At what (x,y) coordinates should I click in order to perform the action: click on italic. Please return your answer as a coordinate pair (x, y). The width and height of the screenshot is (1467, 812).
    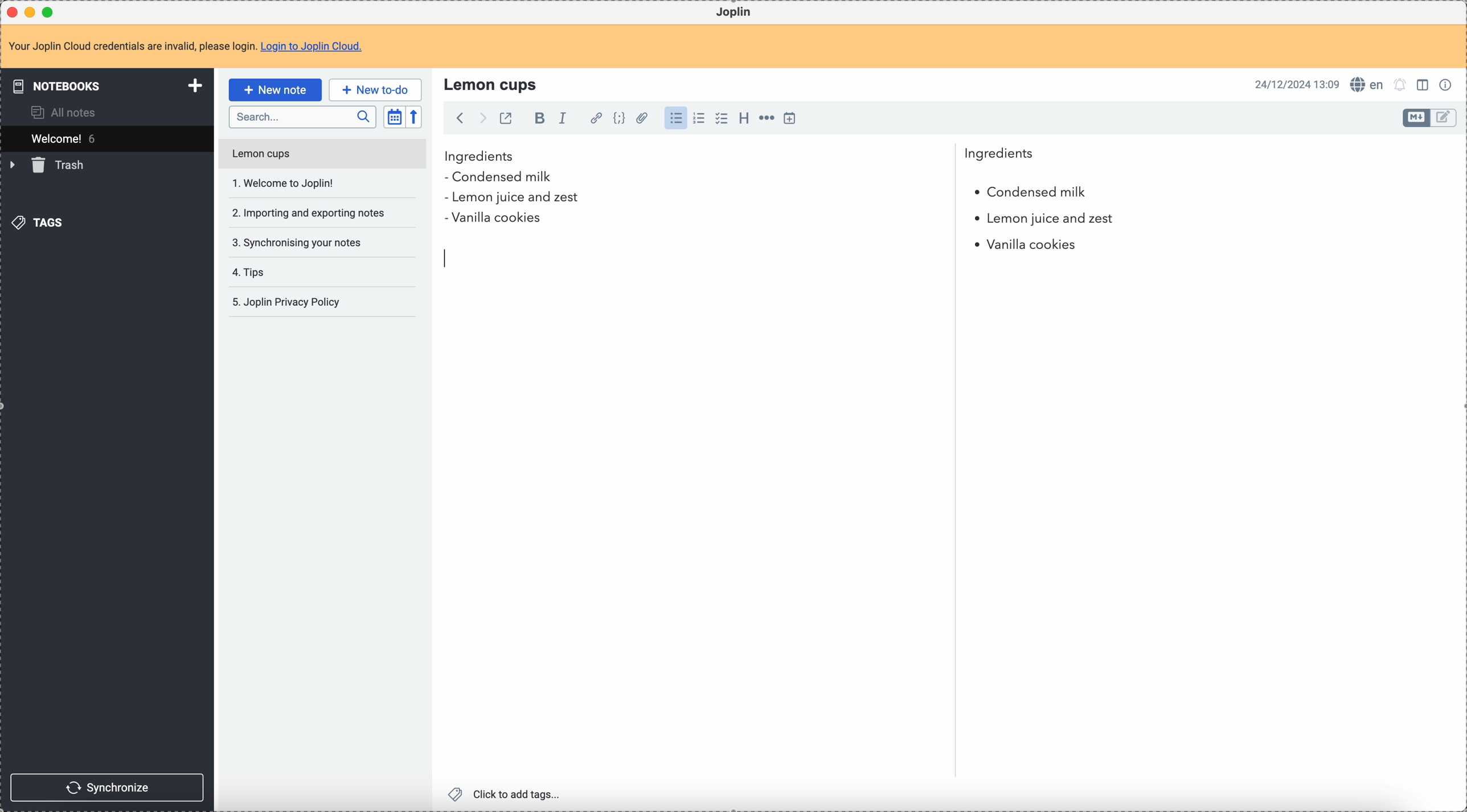
    Looking at the image, I should click on (562, 117).